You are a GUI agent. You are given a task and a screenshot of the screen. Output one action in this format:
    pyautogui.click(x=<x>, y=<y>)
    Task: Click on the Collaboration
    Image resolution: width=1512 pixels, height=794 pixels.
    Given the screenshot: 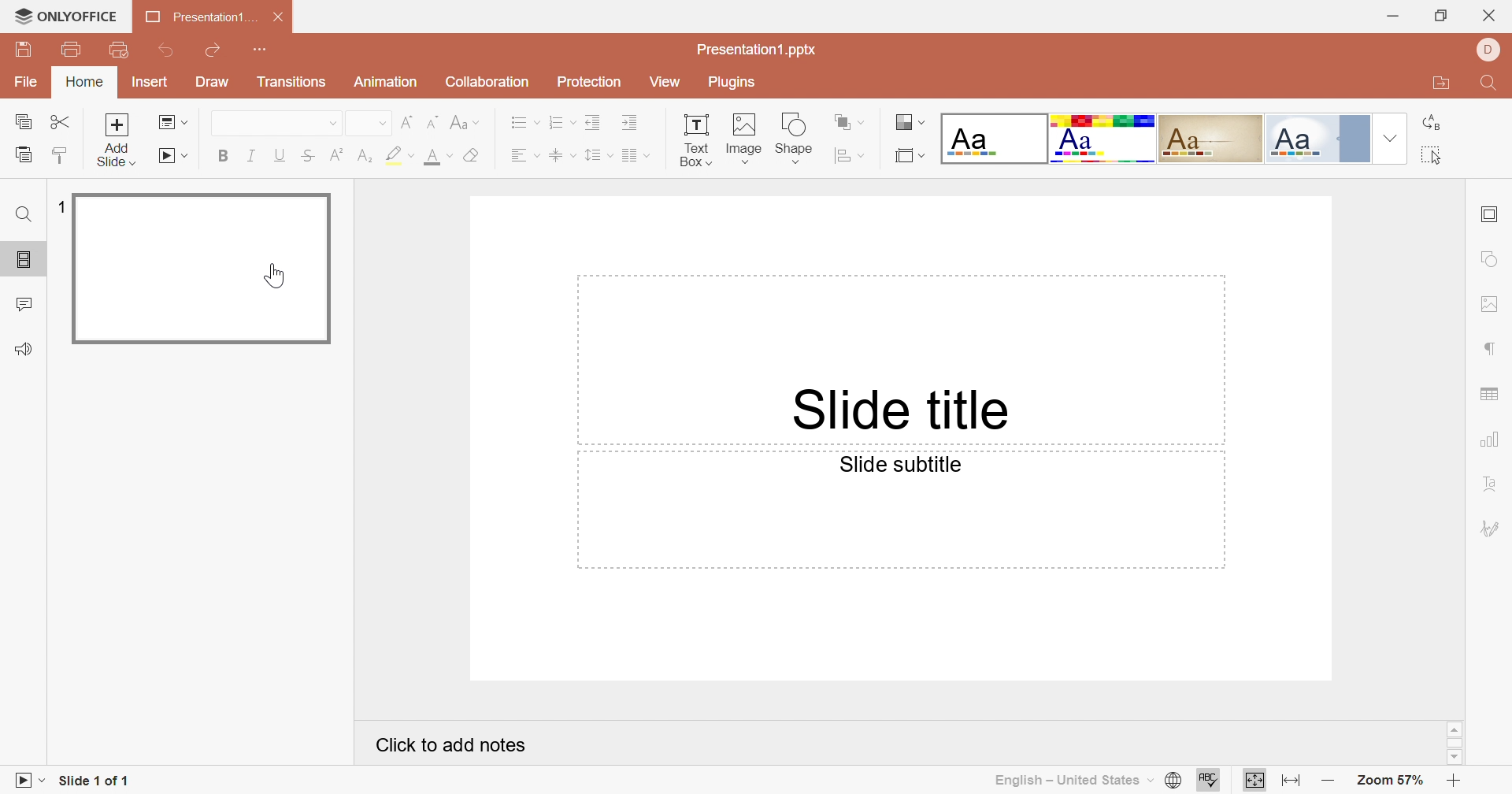 What is the action you would take?
    pyautogui.click(x=489, y=81)
    